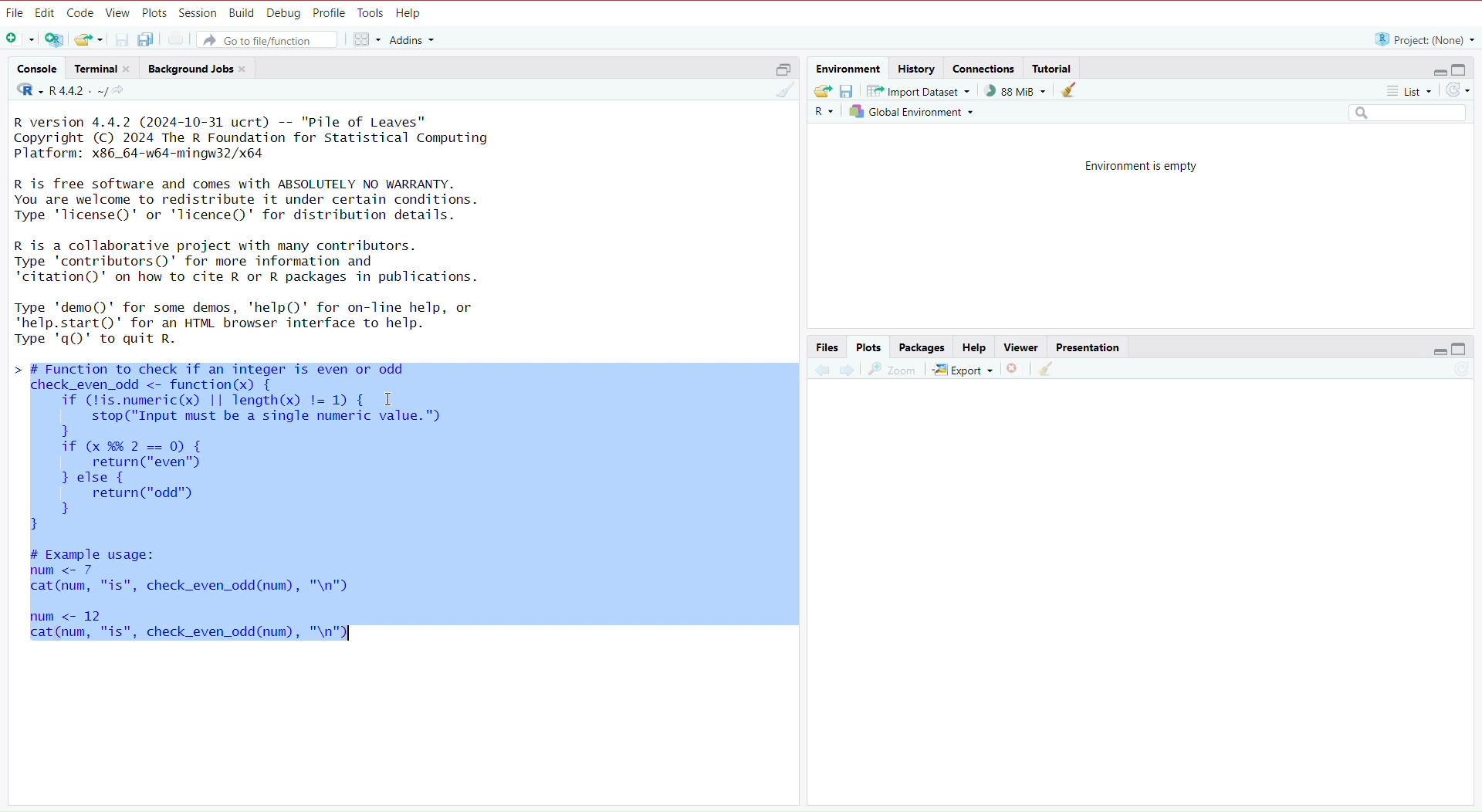 This screenshot has height=812, width=1482. What do you see at coordinates (1463, 70) in the screenshot?
I see `collapse` at bounding box center [1463, 70].